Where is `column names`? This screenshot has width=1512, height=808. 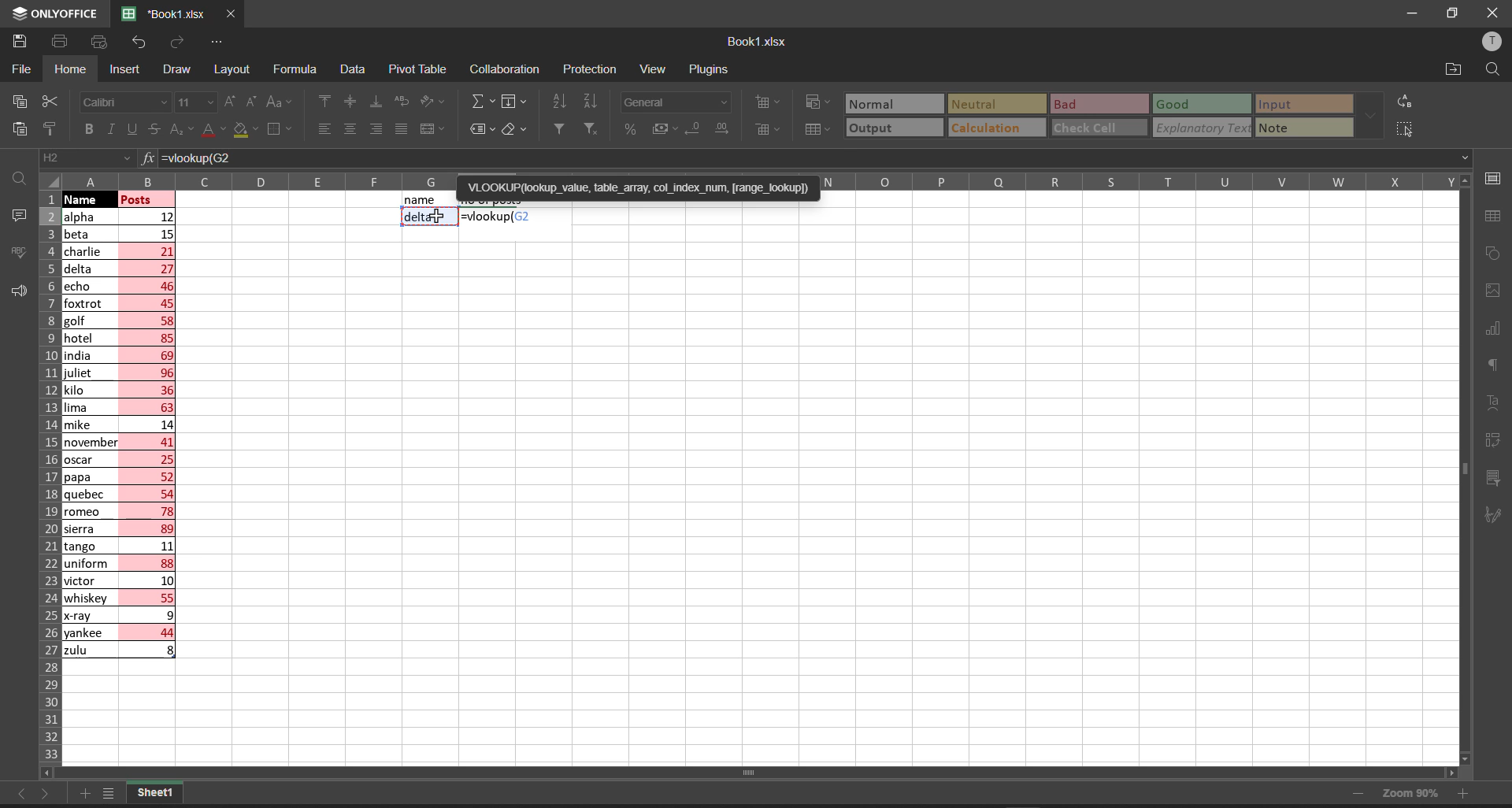
column names is located at coordinates (759, 176).